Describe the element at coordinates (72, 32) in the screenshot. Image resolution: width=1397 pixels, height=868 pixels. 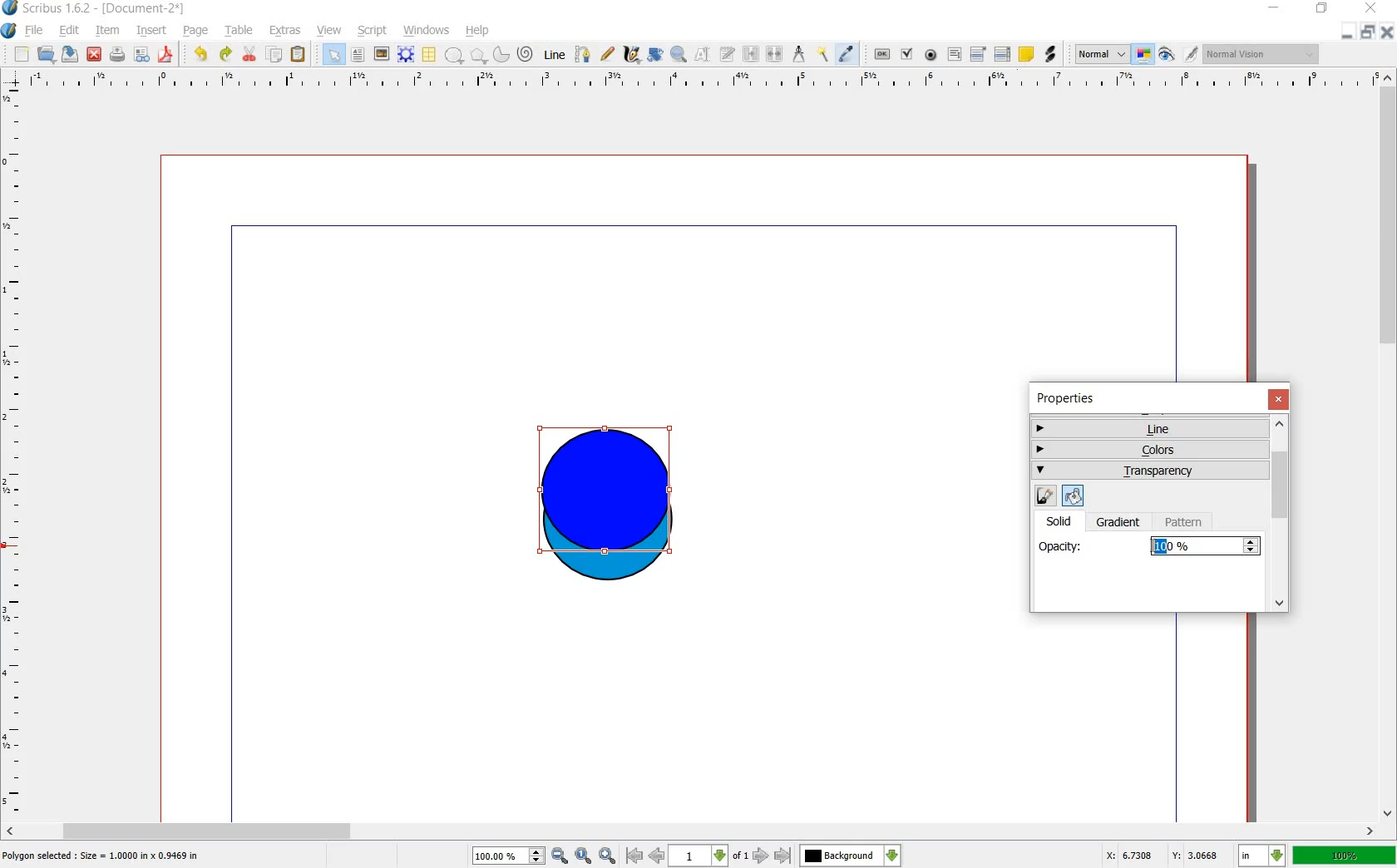
I see `edit` at that location.